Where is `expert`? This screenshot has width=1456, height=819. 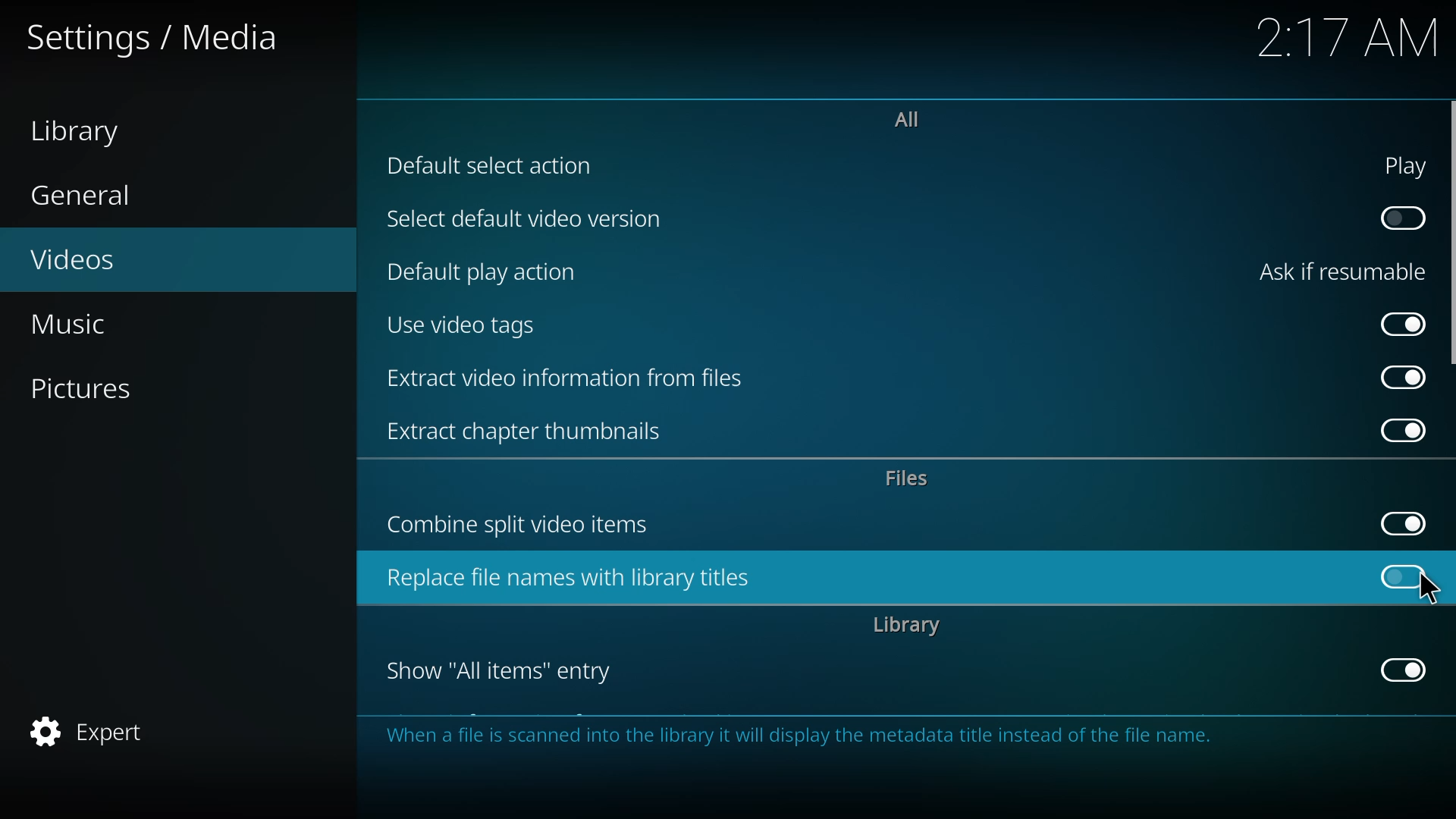
expert is located at coordinates (91, 727).